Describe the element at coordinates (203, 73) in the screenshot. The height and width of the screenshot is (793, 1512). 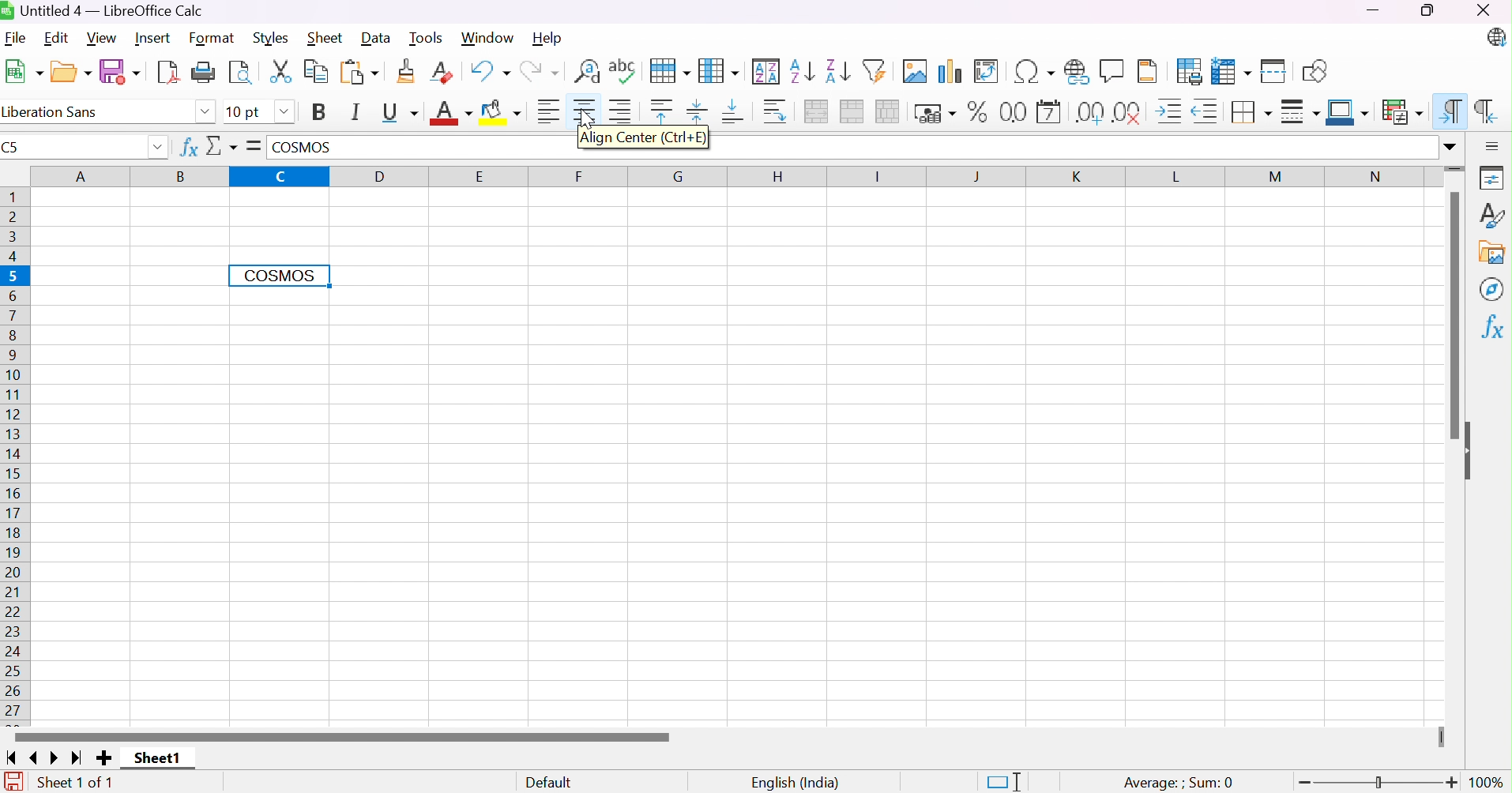
I see `Print` at that location.